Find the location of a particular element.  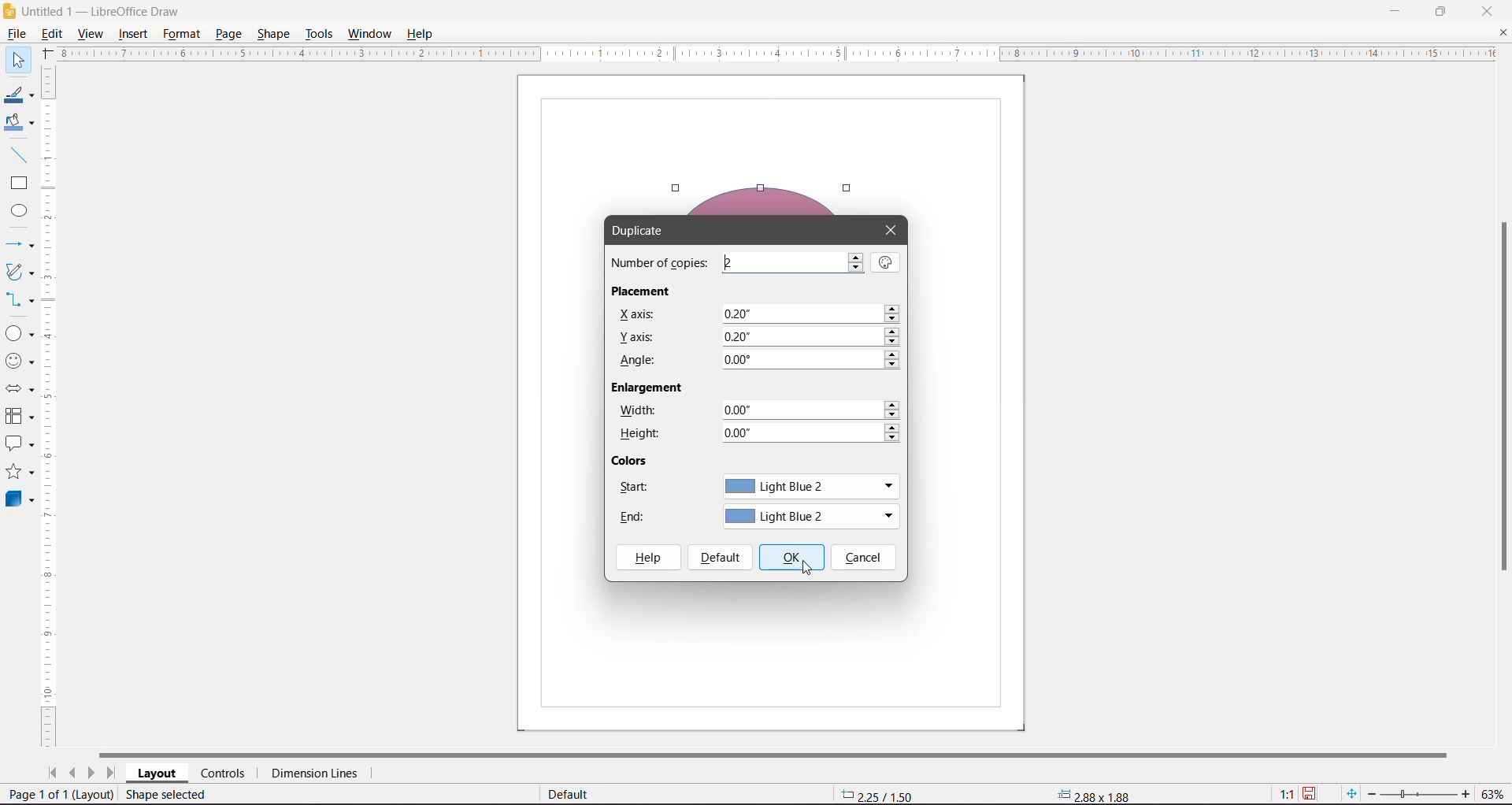

Tools is located at coordinates (319, 35).